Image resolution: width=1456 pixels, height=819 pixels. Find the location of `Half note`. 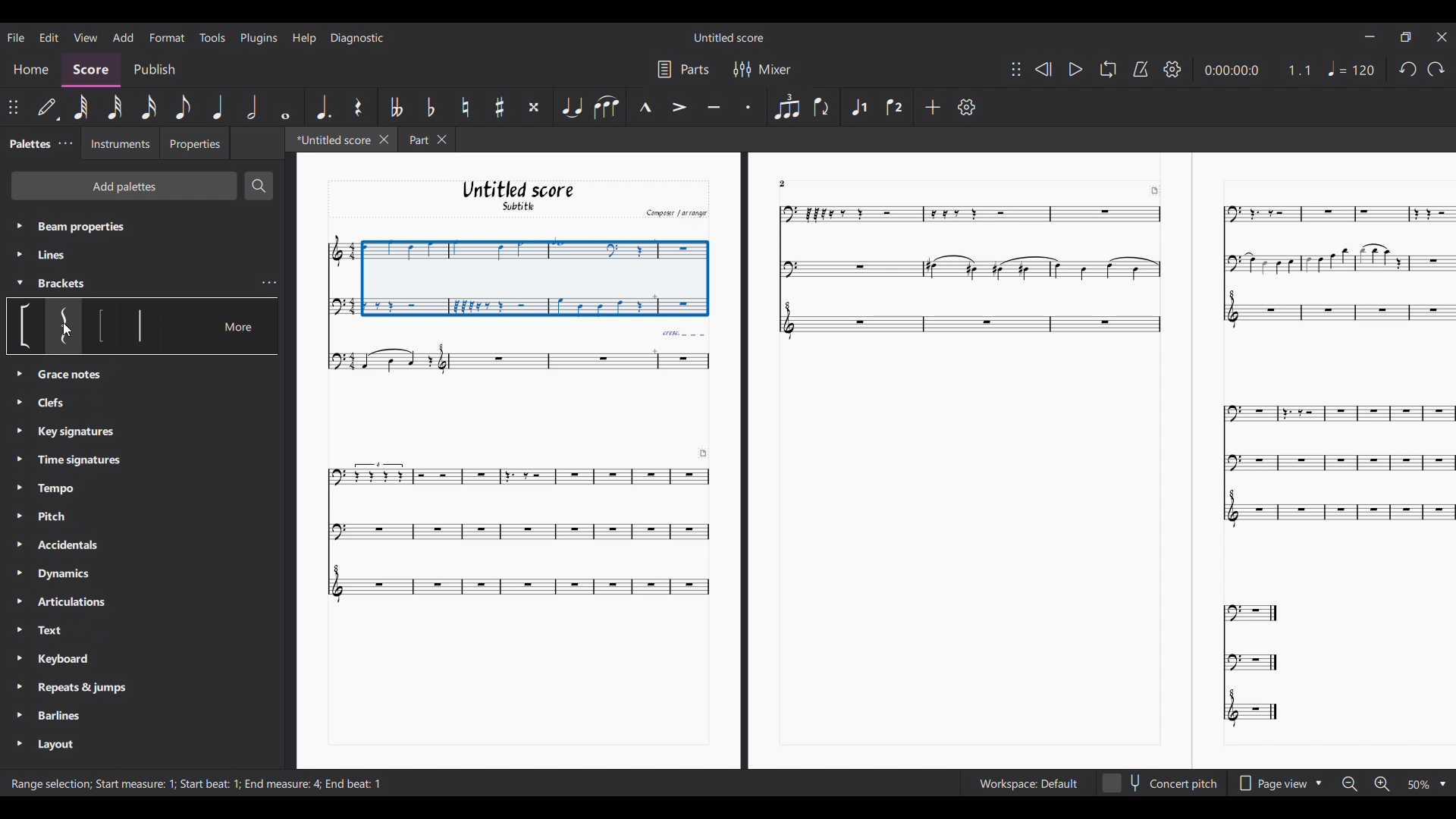

Half note is located at coordinates (253, 107).